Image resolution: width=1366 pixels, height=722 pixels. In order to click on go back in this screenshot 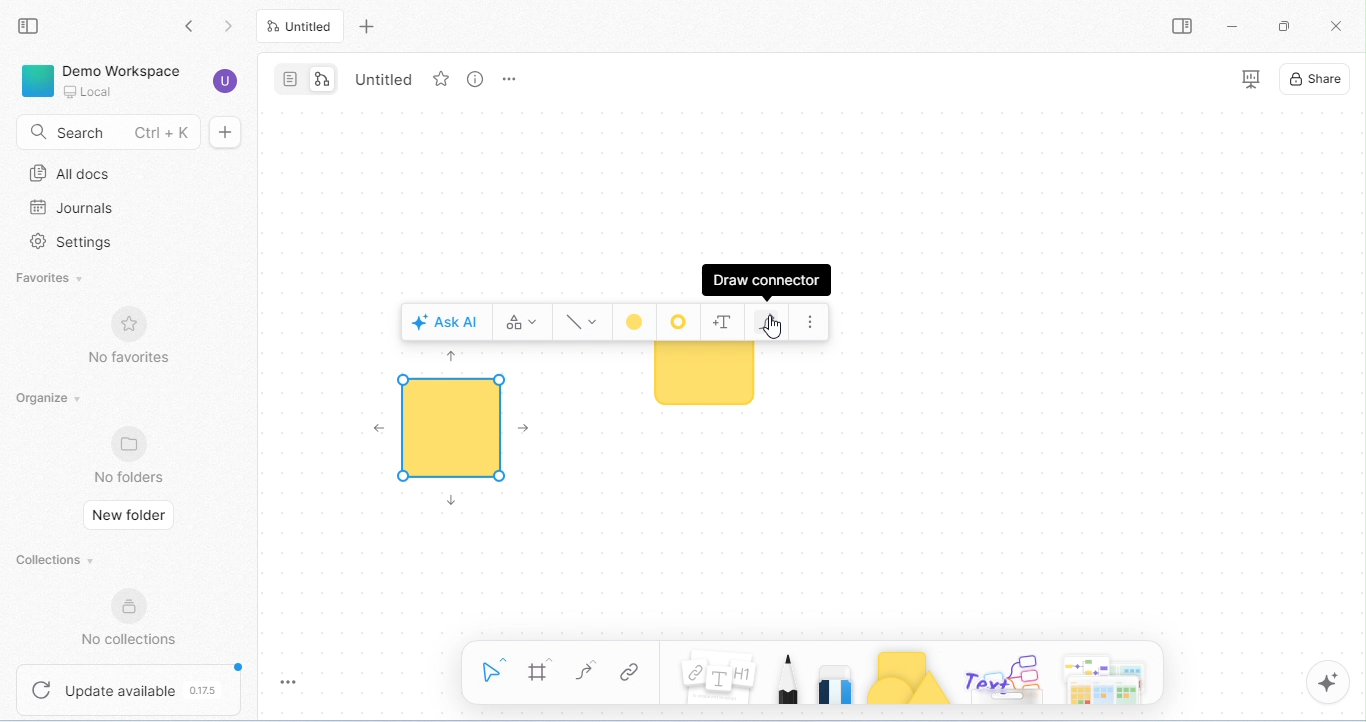, I will do `click(196, 28)`.